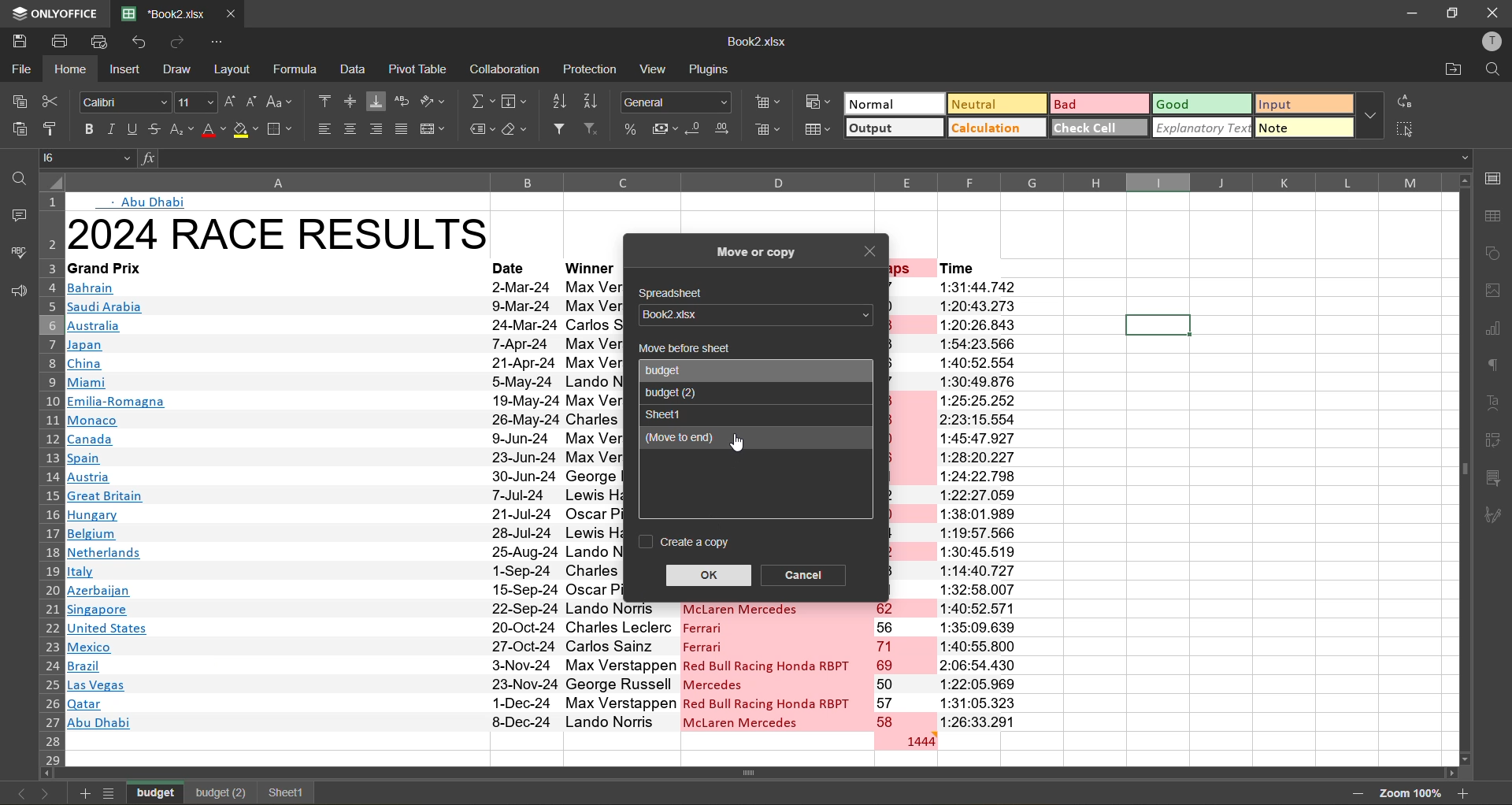  I want to click on zoom in, so click(1464, 792).